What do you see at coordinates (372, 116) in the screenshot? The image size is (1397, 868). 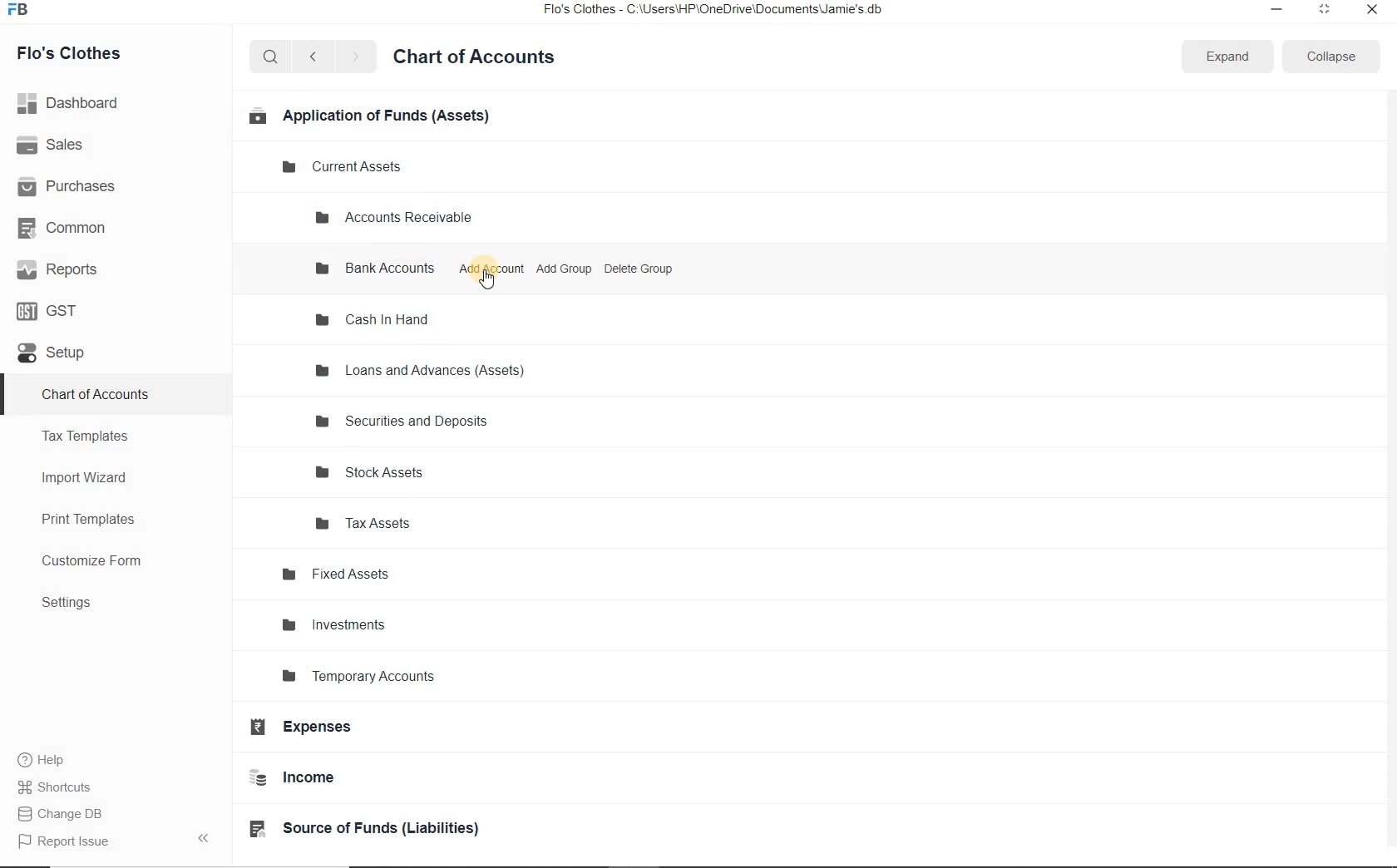 I see `Application of Funds (Assets)` at bounding box center [372, 116].